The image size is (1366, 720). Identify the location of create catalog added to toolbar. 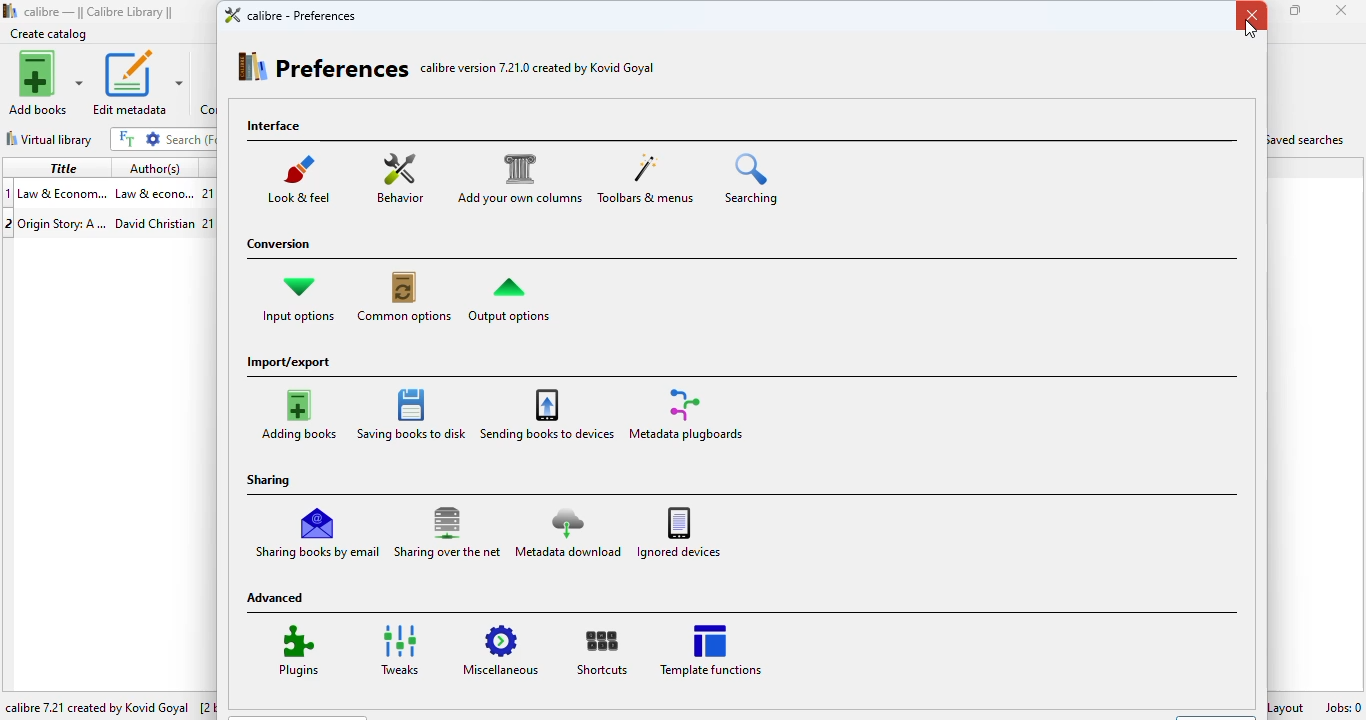
(50, 35).